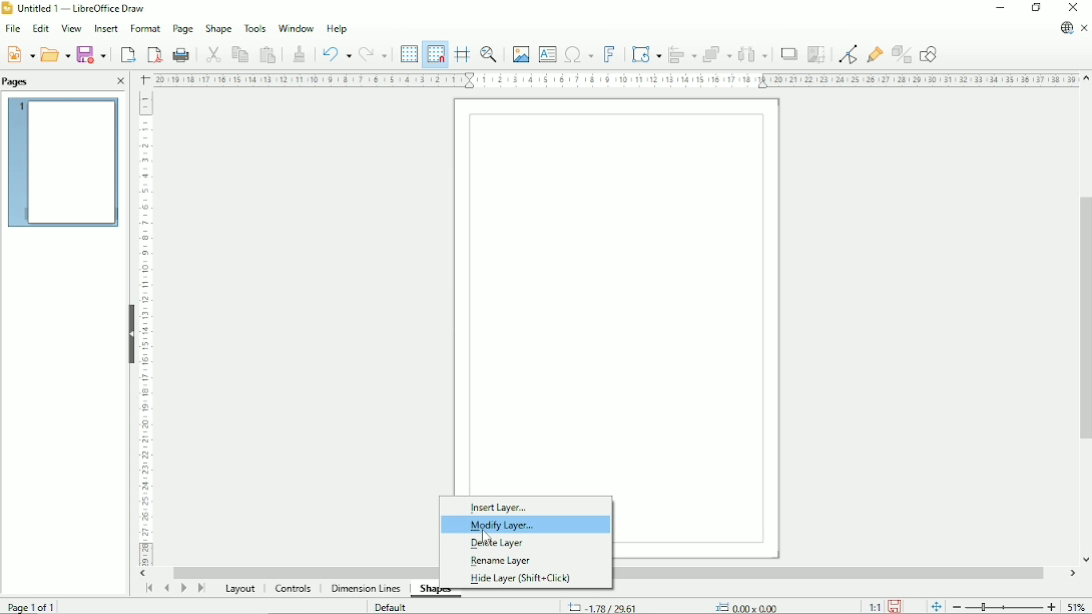 This screenshot has height=614, width=1092. Describe the element at coordinates (166, 589) in the screenshot. I see `Scroll to previous page` at that location.